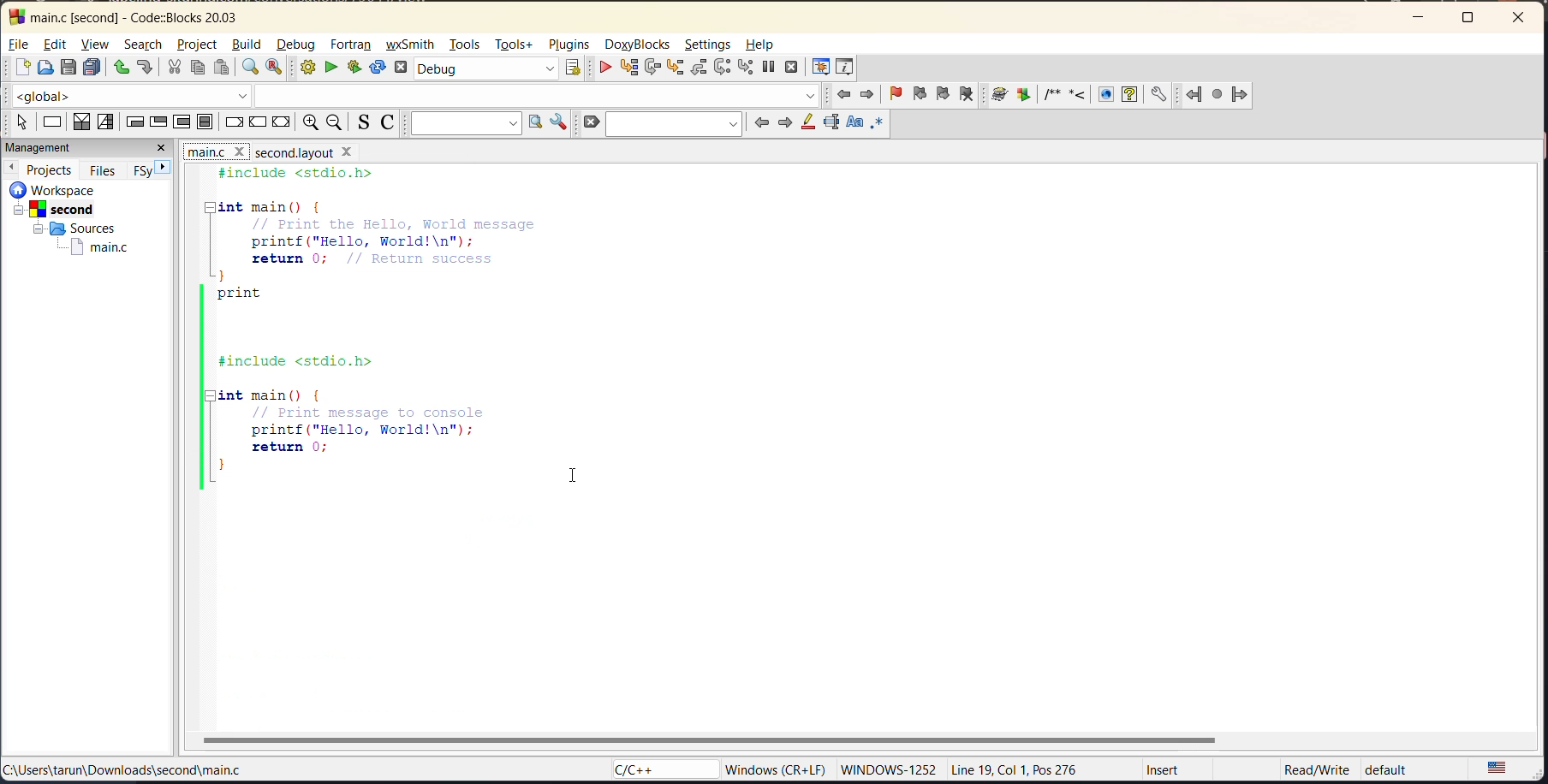 The image size is (1548, 784). Describe the element at coordinates (21, 68) in the screenshot. I see `new` at that location.